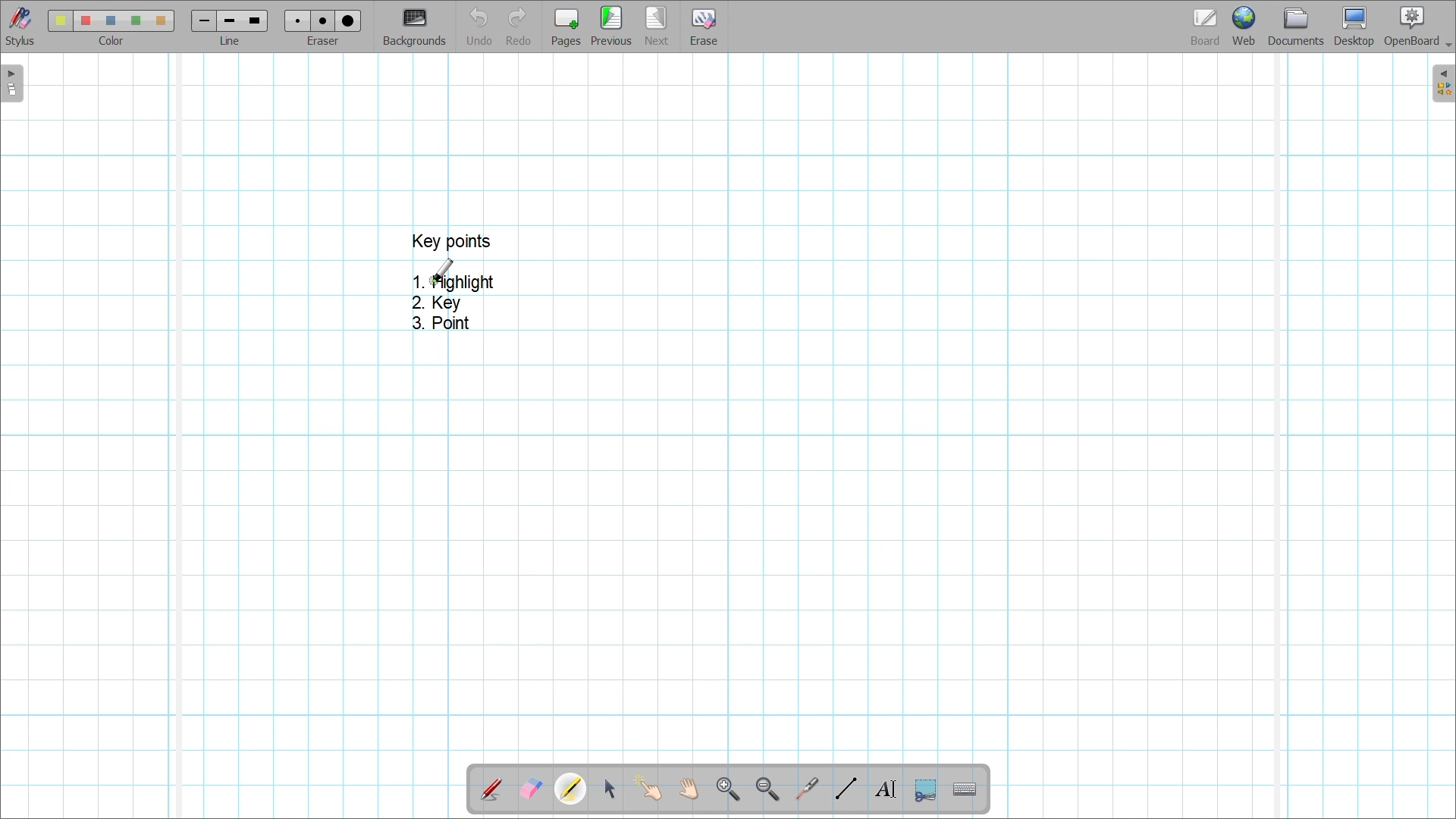  What do you see at coordinates (729, 790) in the screenshot?
I see `Zoom in` at bounding box center [729, 790].